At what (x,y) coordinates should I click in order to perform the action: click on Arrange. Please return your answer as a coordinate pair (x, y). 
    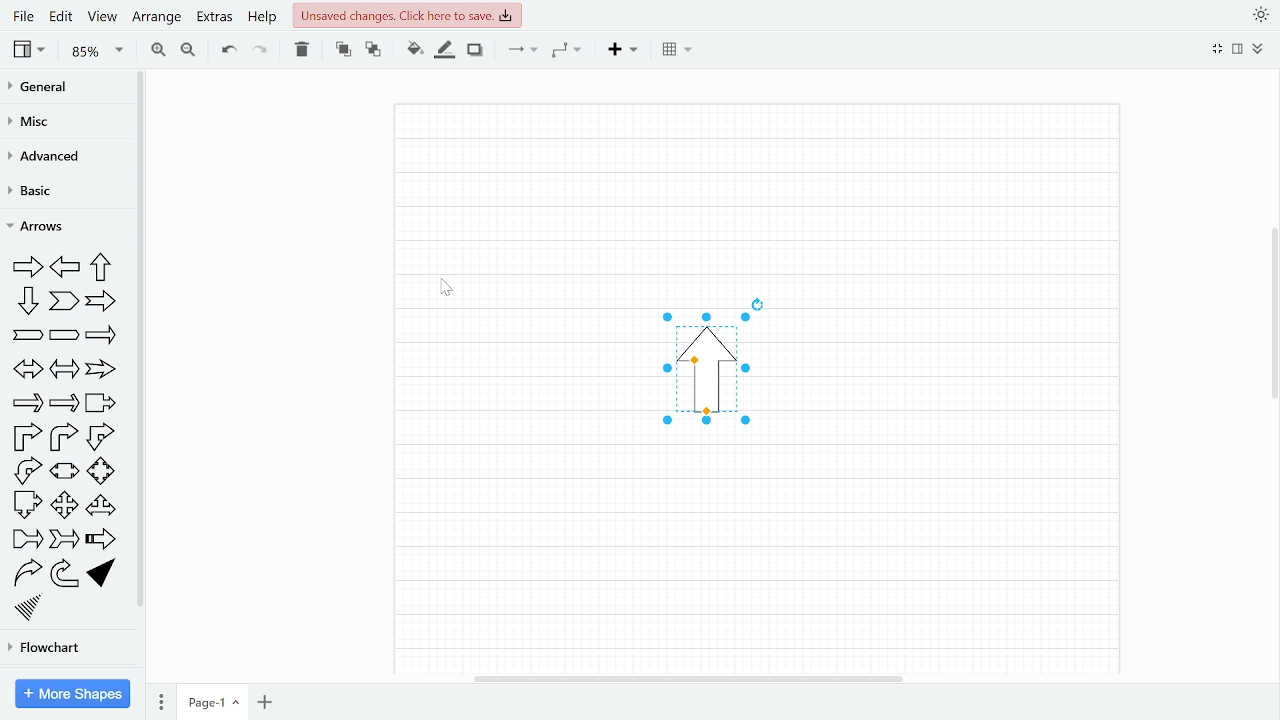
    Looking at the image, I should click on (156, 17).